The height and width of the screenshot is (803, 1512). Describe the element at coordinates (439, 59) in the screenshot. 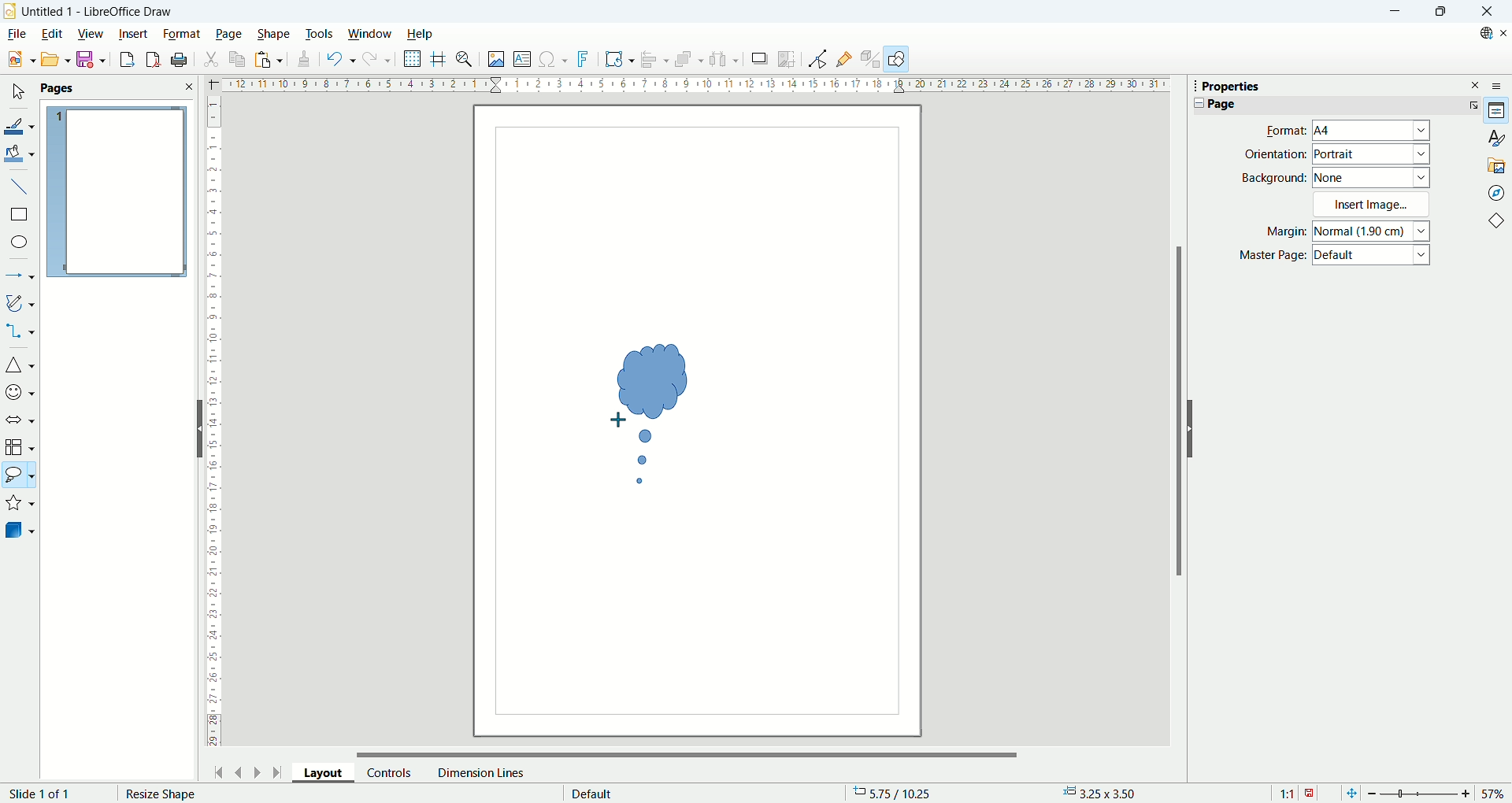

I see `helpline` at that location.